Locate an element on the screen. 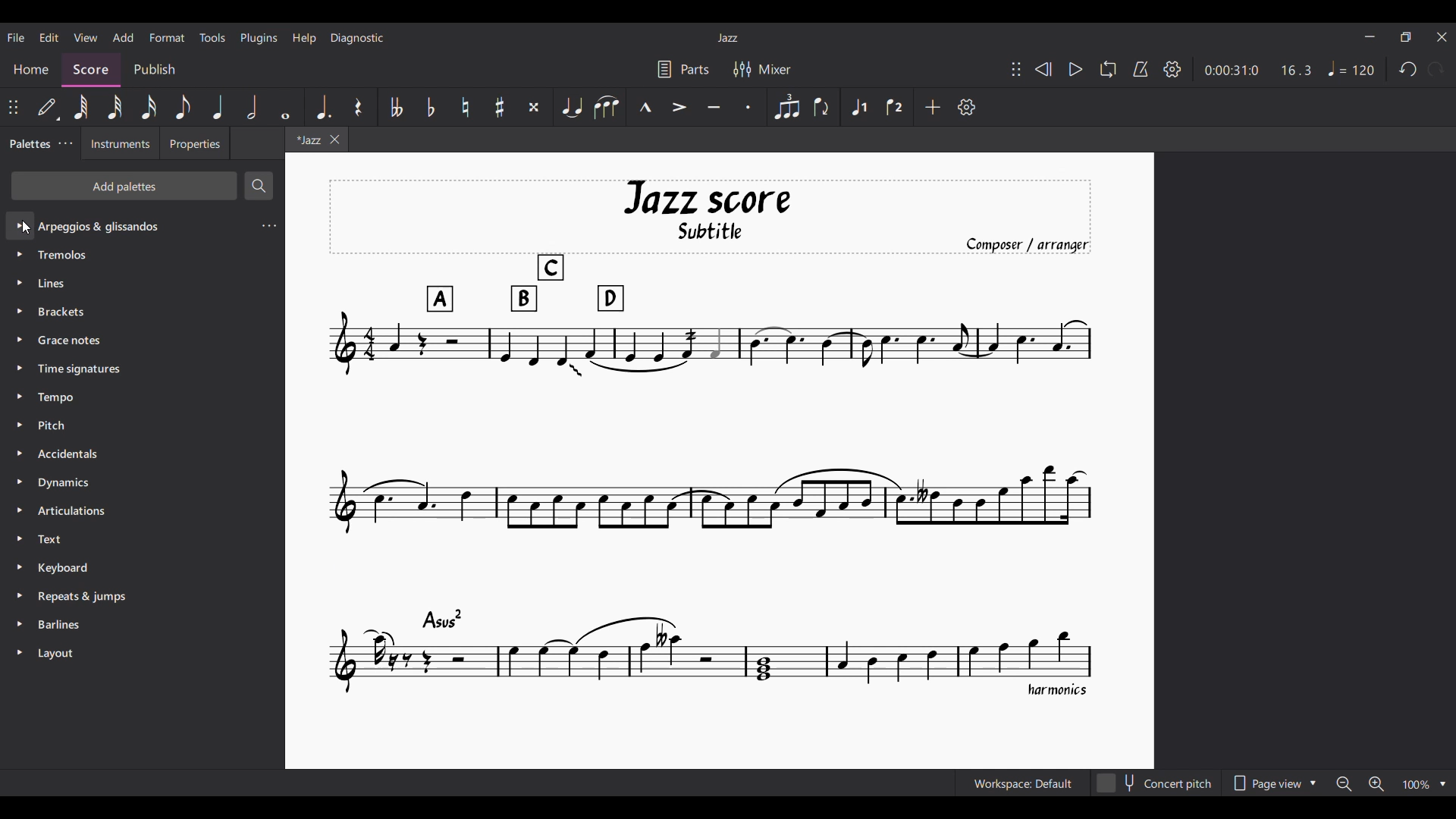 The width and height of the screenshot is (1456, 819). Properties is located at coordinates (197, 146).